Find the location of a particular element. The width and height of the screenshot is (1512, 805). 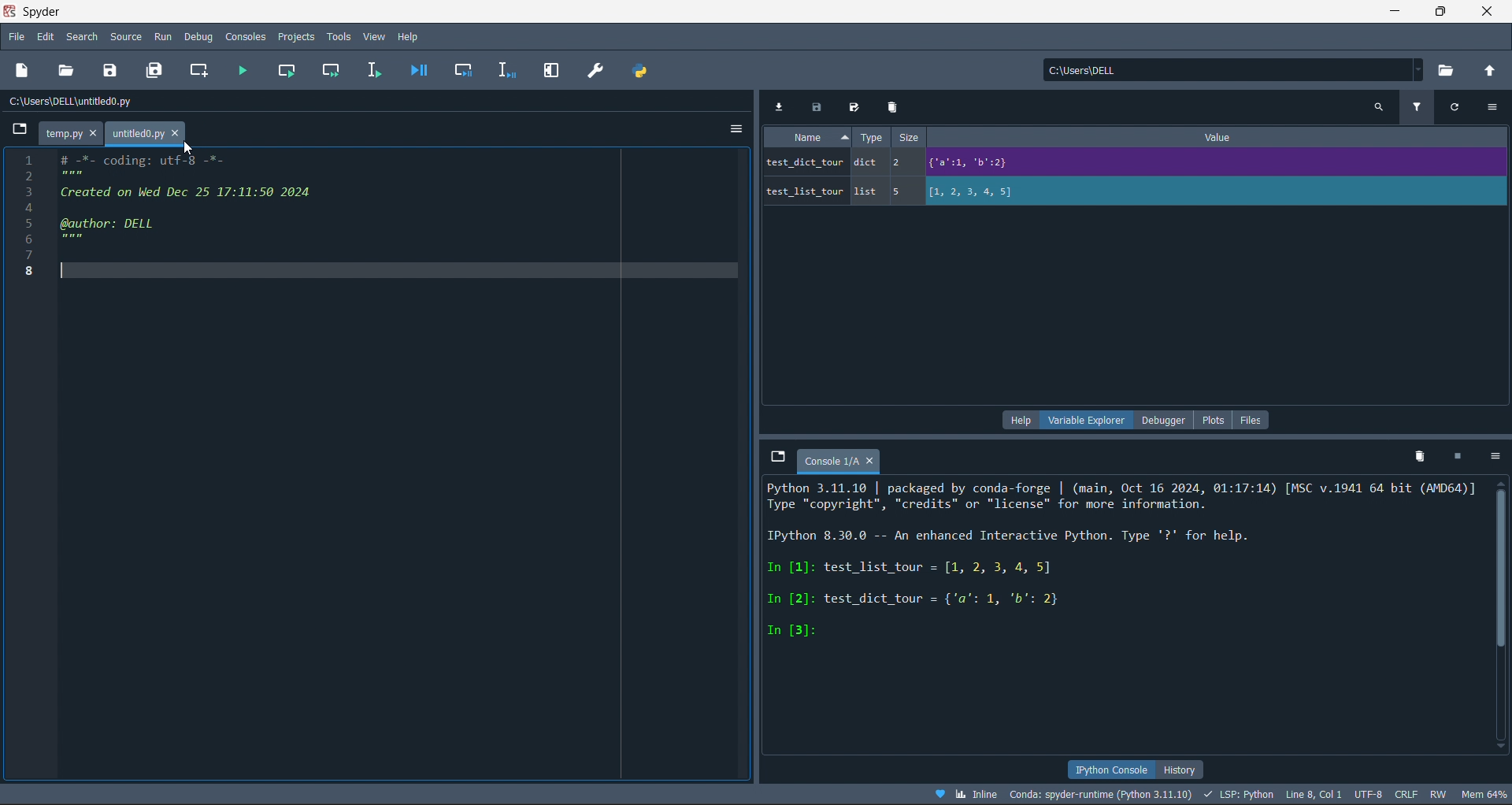

new file is located at coordinates (24, 72).